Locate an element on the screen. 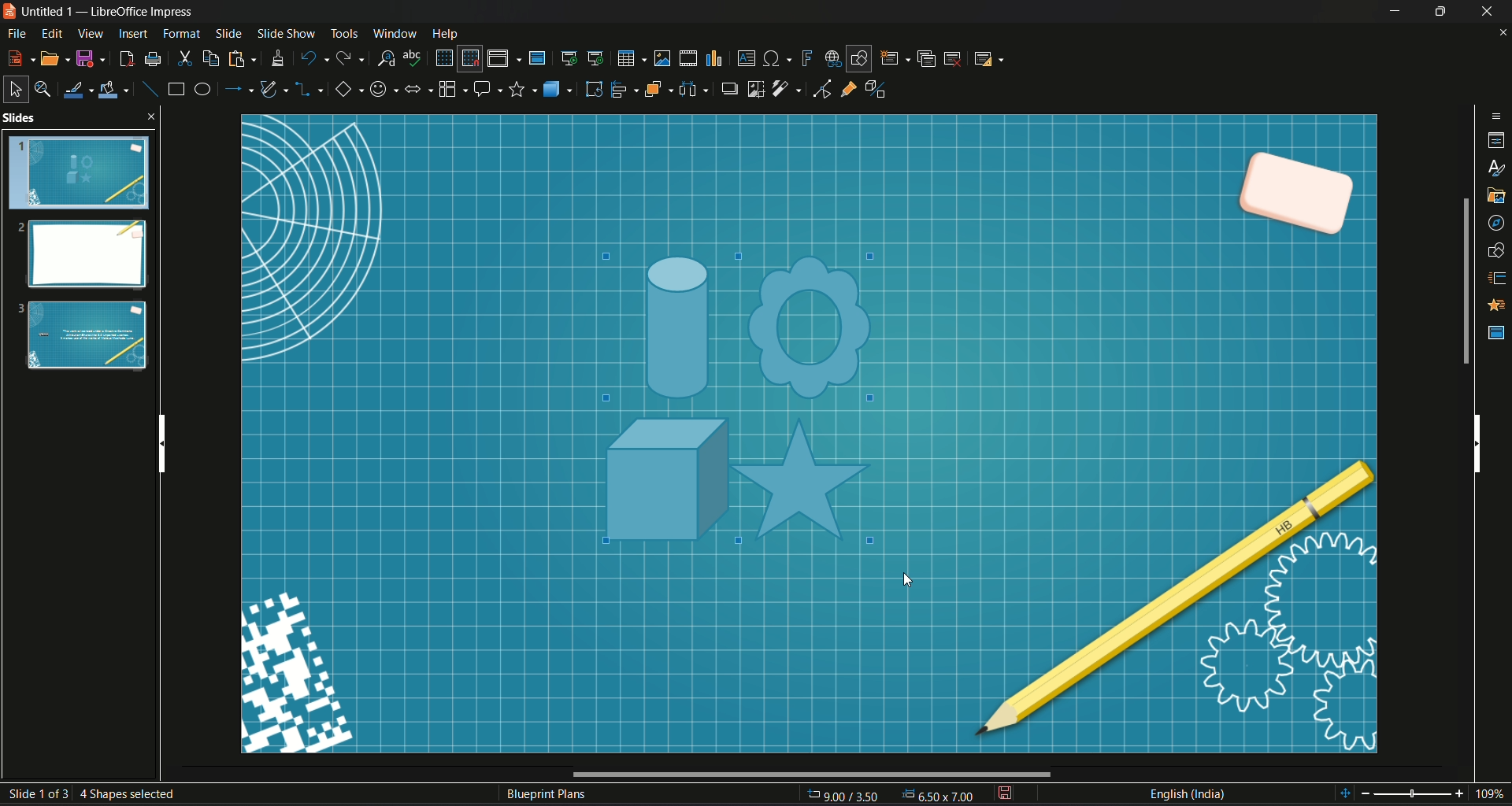  Language is located at coordinates (1187, 794).